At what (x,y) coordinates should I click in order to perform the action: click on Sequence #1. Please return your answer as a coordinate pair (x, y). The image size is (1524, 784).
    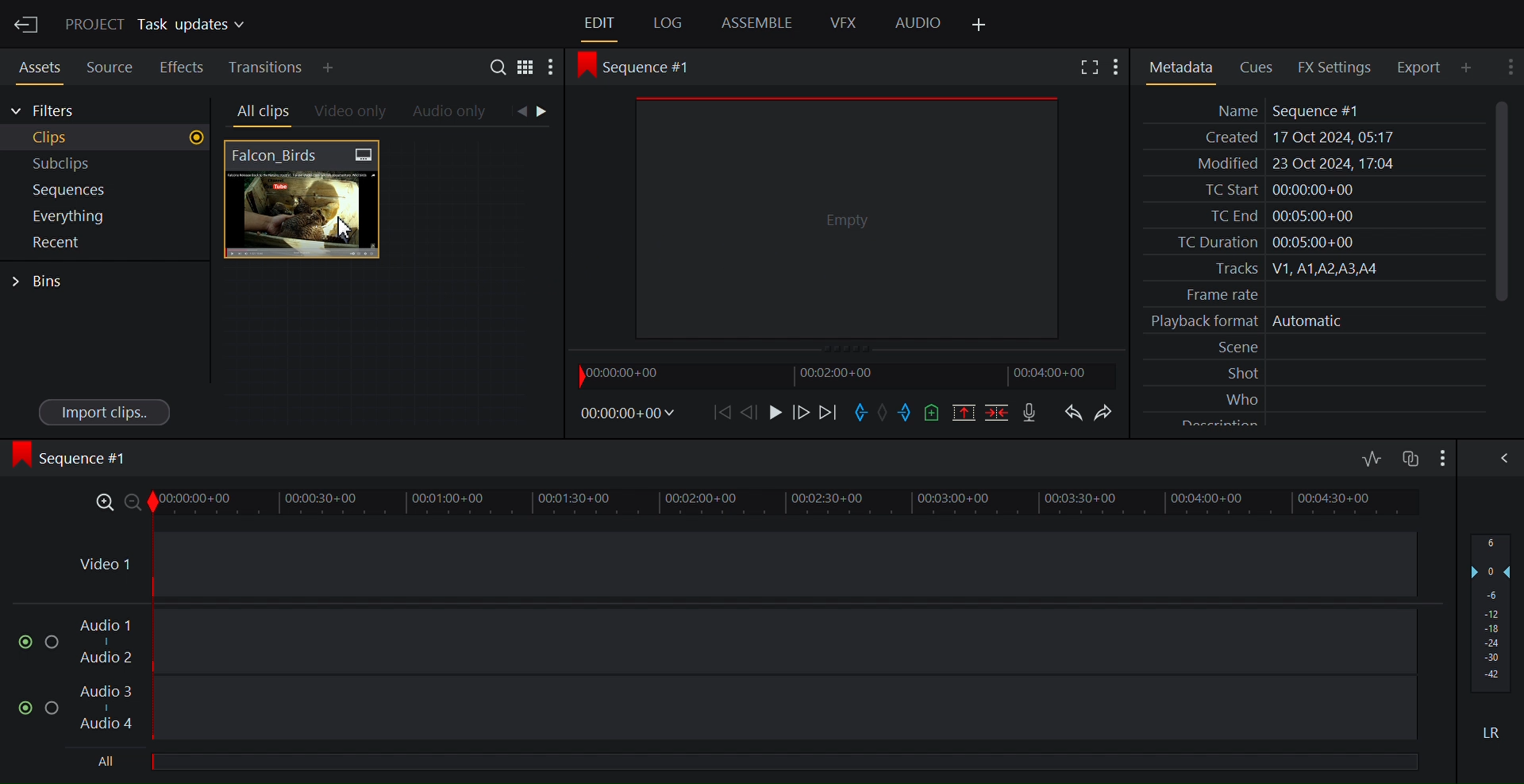
    Looking at the image, I should click on (645, 67).